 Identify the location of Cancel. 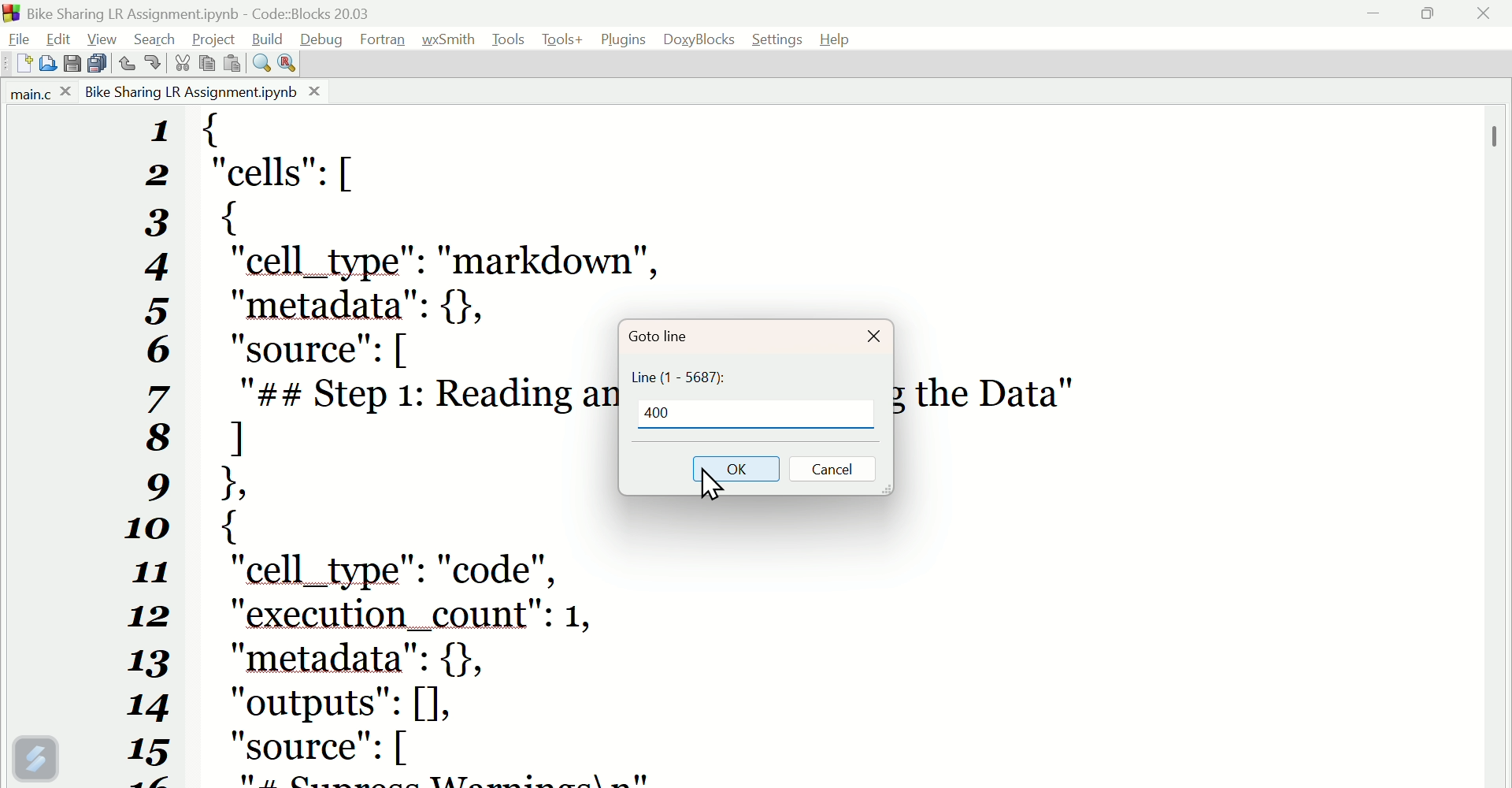
(839, 471).